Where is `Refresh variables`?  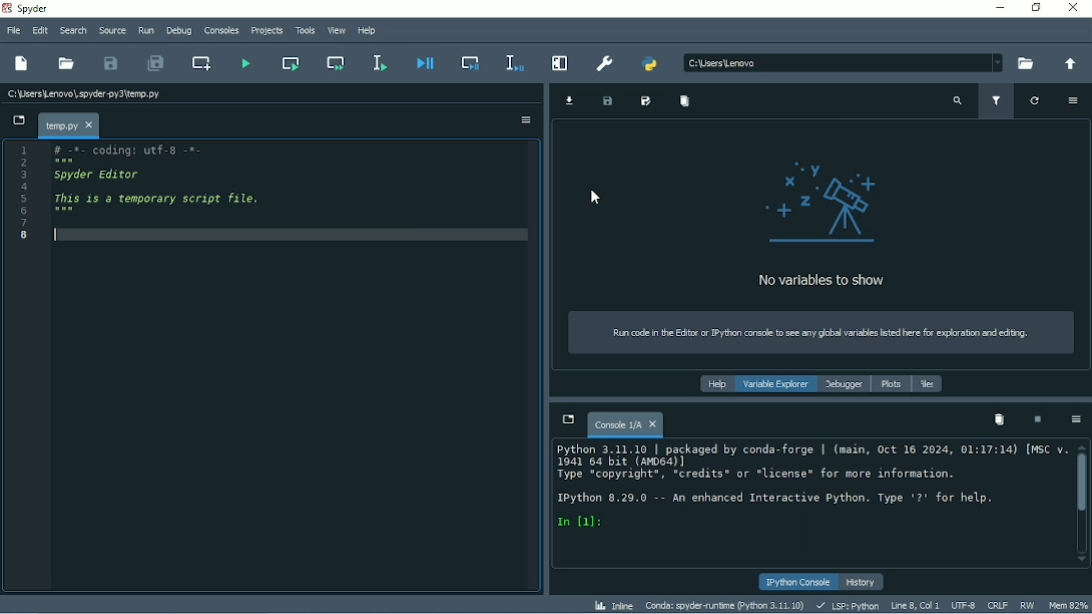 Refresh variables is located at coordinates (1035, 101).